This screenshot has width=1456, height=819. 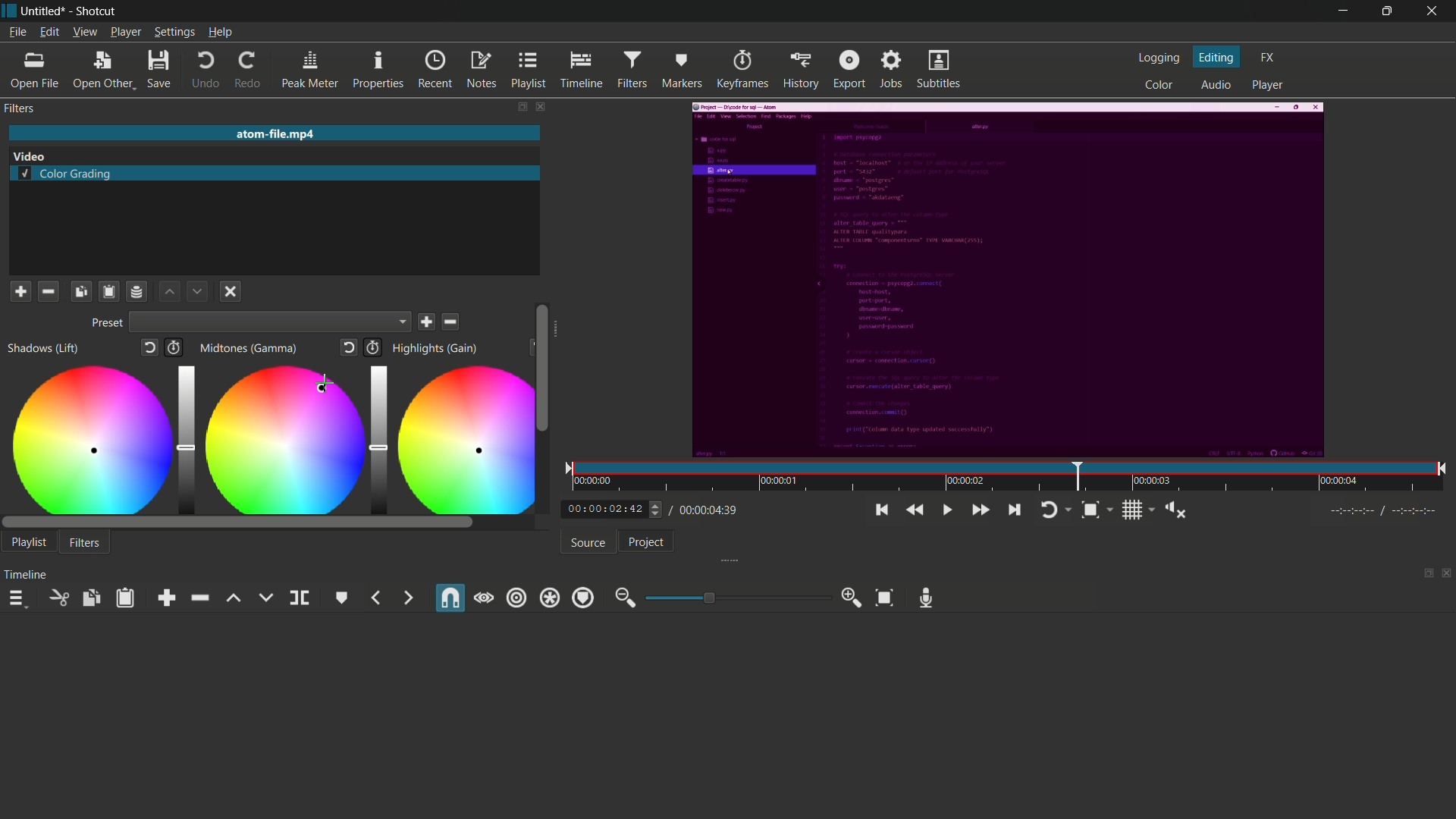 I want to click on fx, so click(x=1269, y=56).